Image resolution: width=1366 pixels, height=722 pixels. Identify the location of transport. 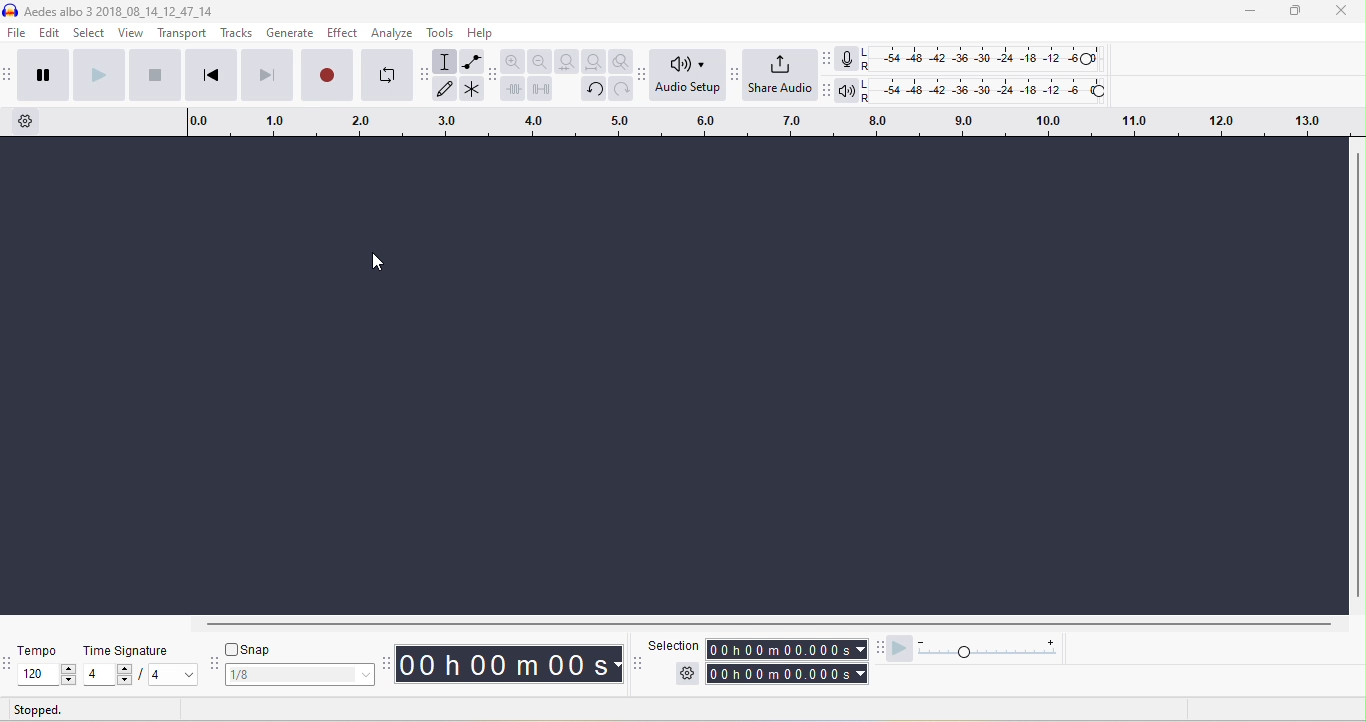
(183, 34).